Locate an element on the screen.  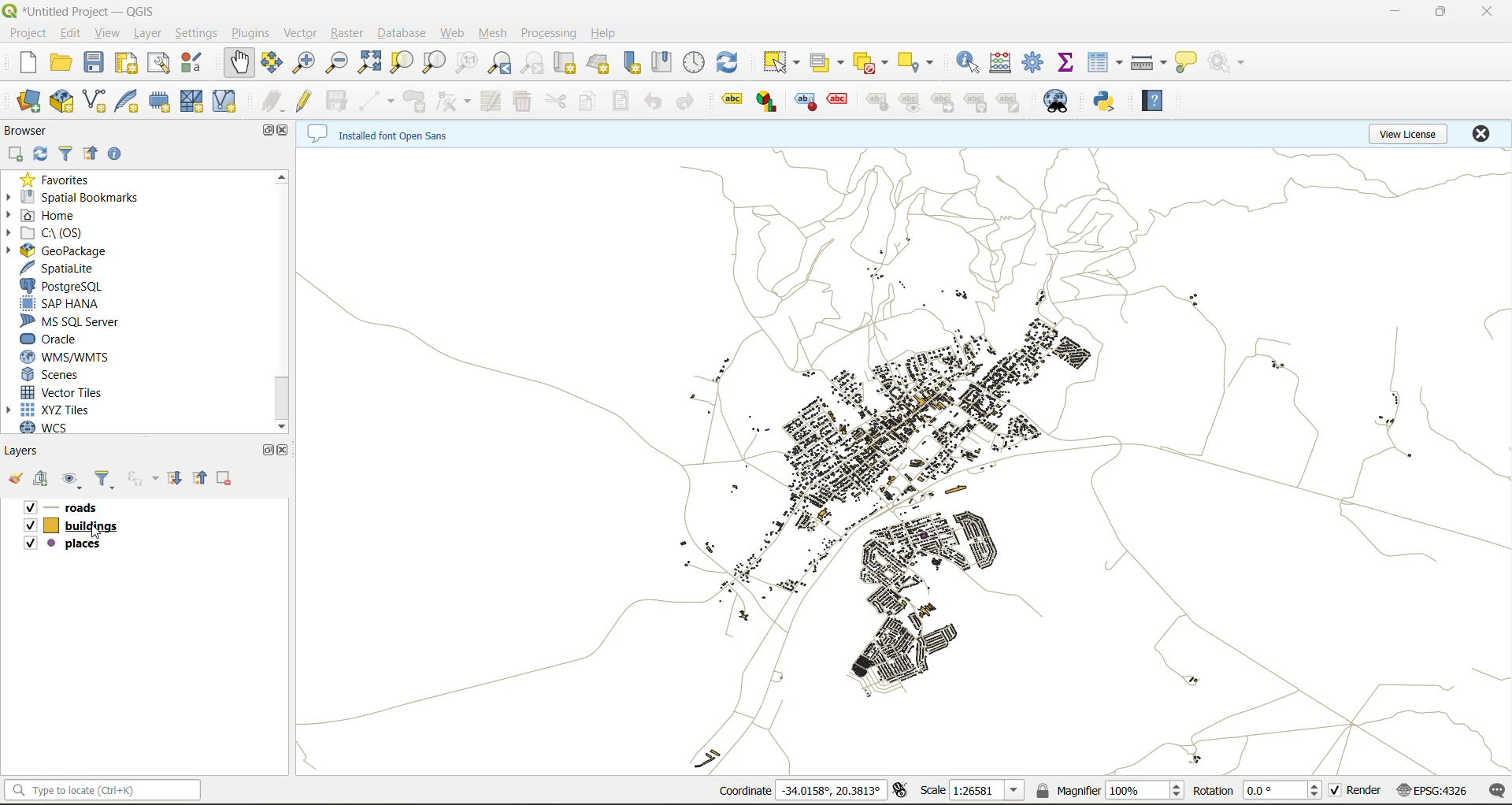
cut is located at coordinates (552, 101).